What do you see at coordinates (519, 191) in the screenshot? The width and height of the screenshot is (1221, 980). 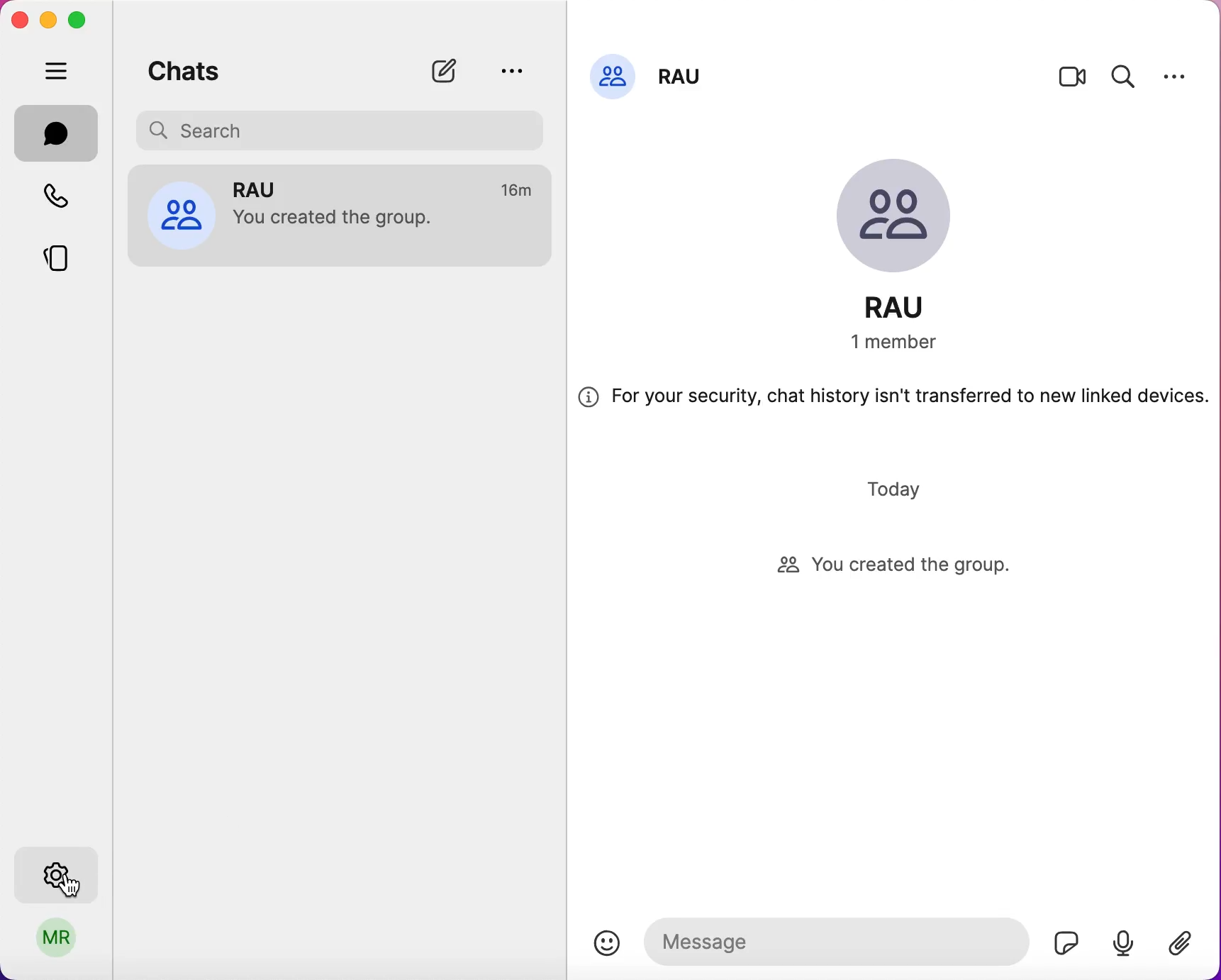 I see `16m` at bounding box center [519, 191].